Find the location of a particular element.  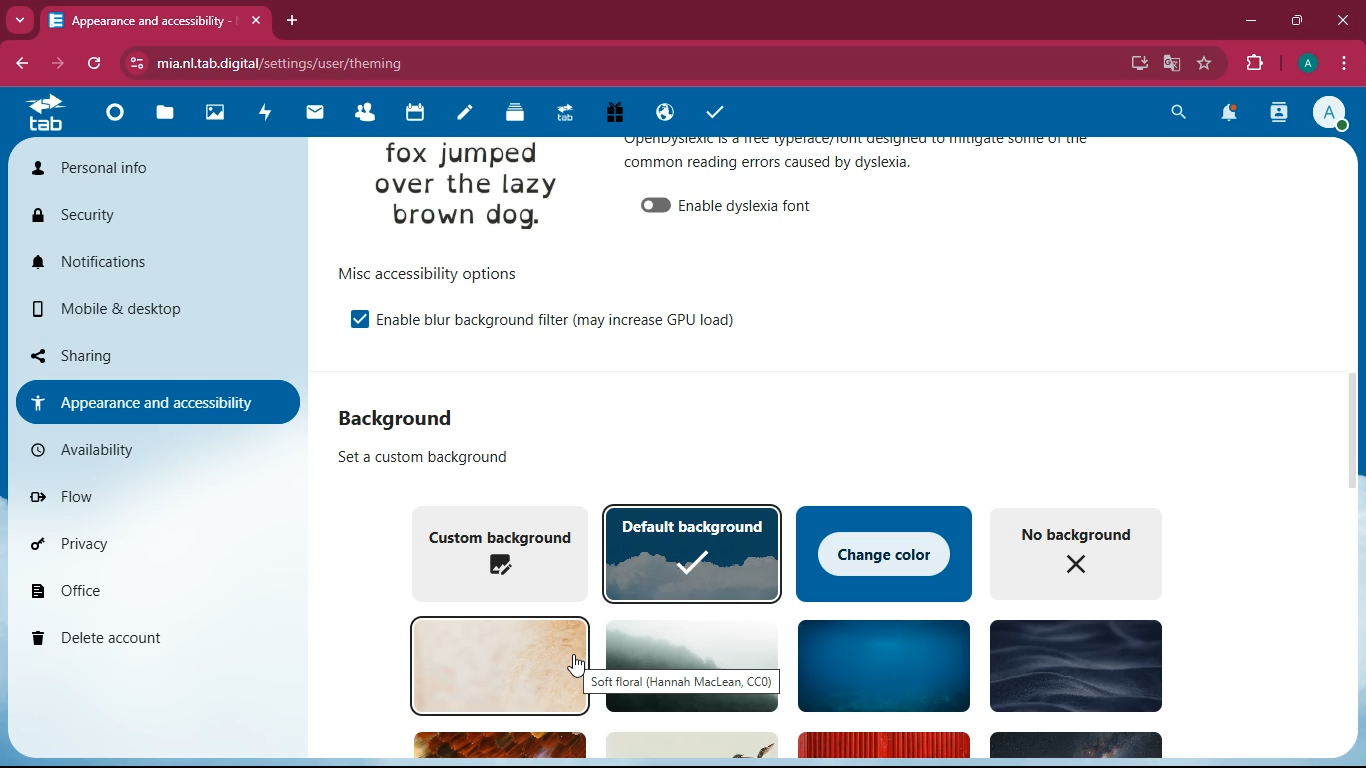

tab is located at coordinates (44, 114).